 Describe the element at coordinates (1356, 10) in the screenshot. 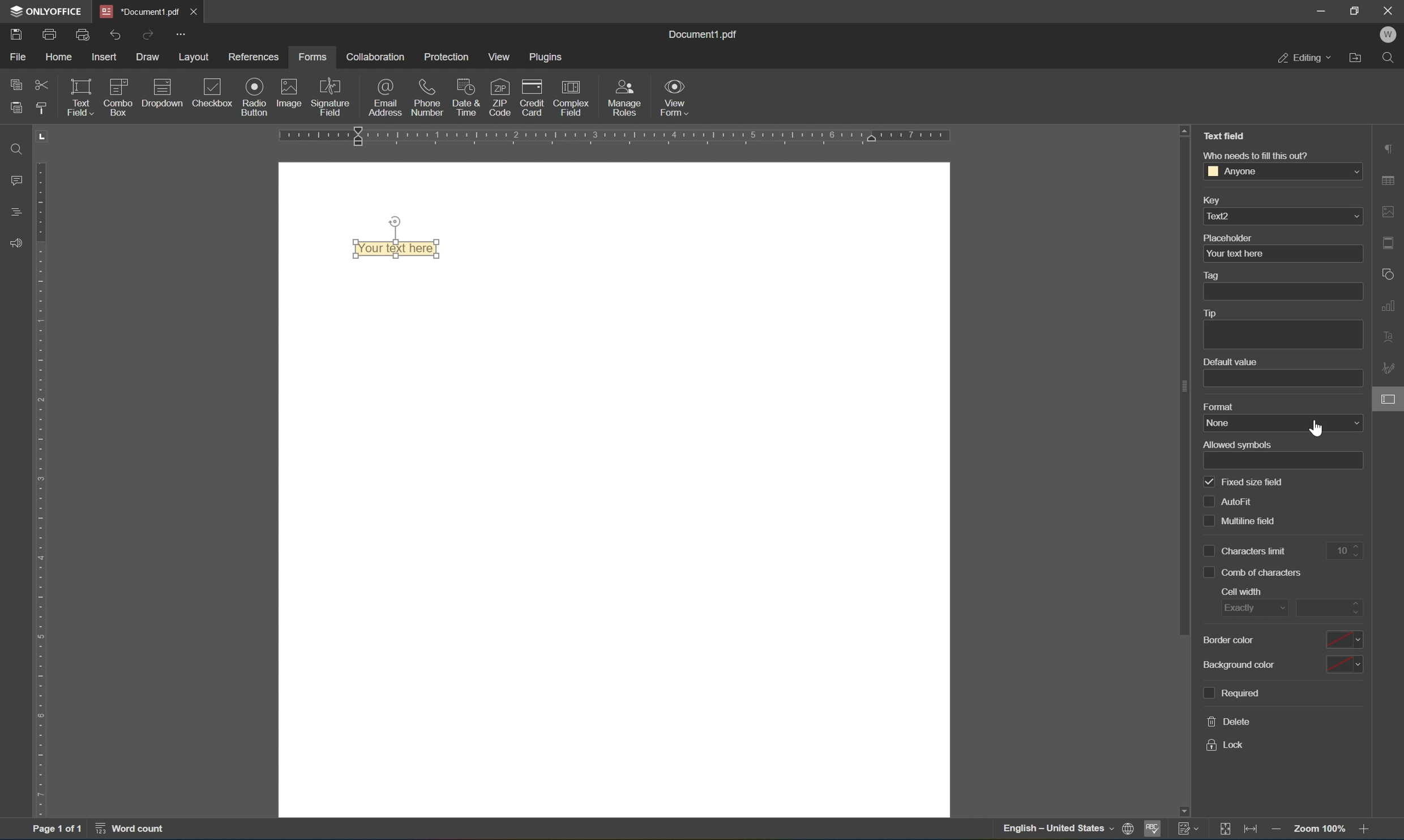

I see `restore down` at that location.